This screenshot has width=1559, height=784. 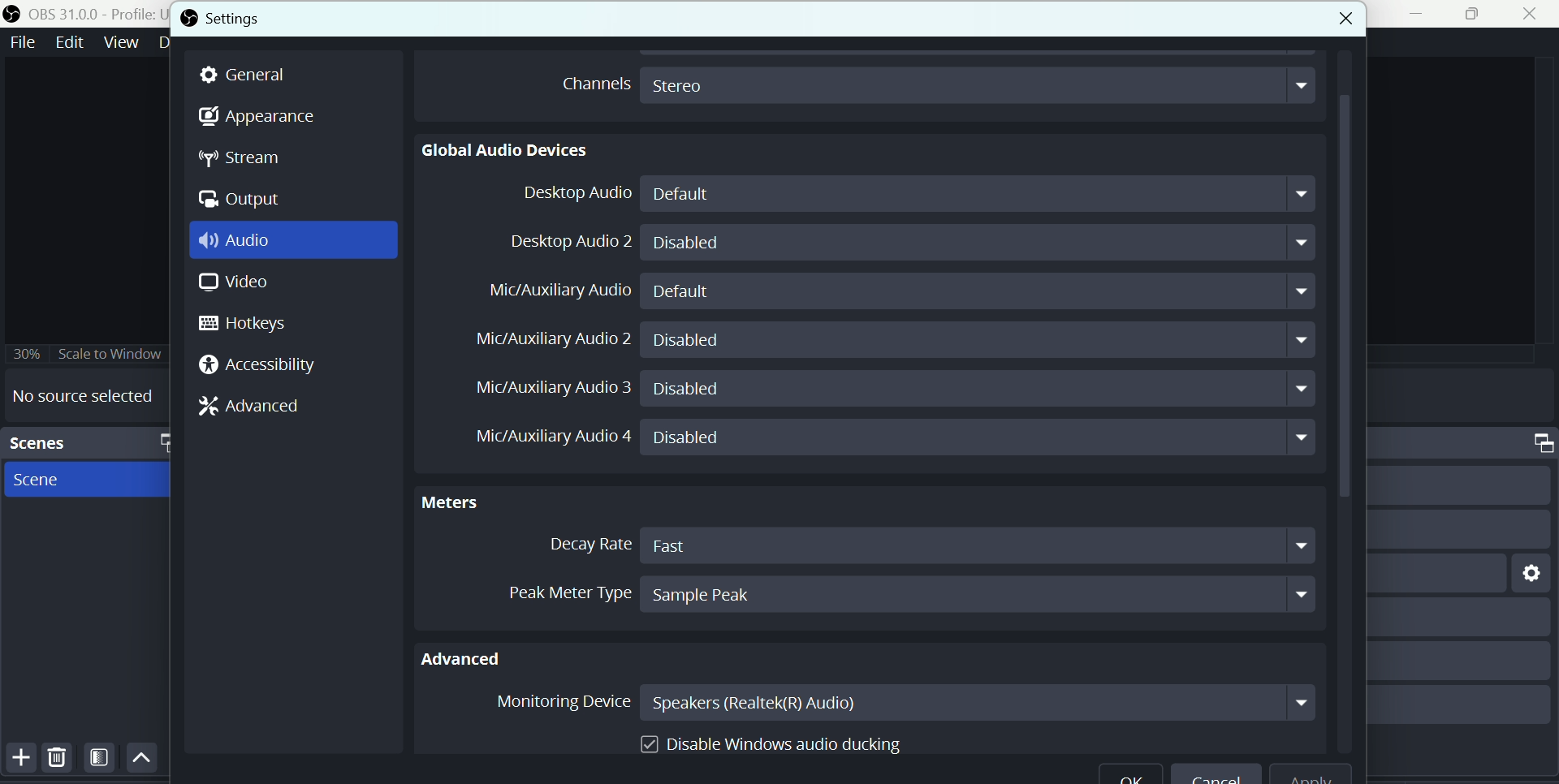 I want to click on No source selected, so click(x=83, y=395).